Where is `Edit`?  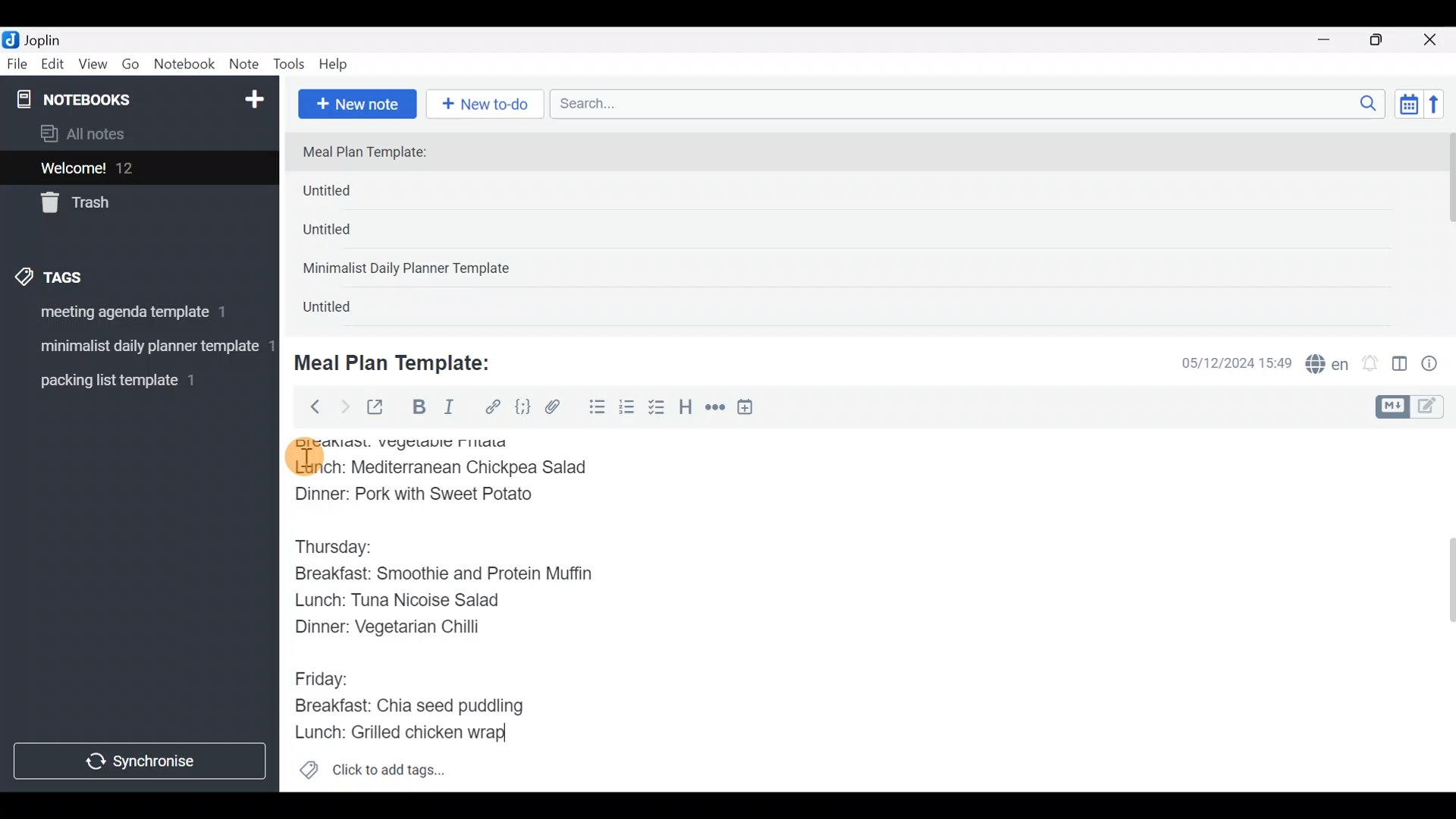
Edit is located at coordinates (53, 67).